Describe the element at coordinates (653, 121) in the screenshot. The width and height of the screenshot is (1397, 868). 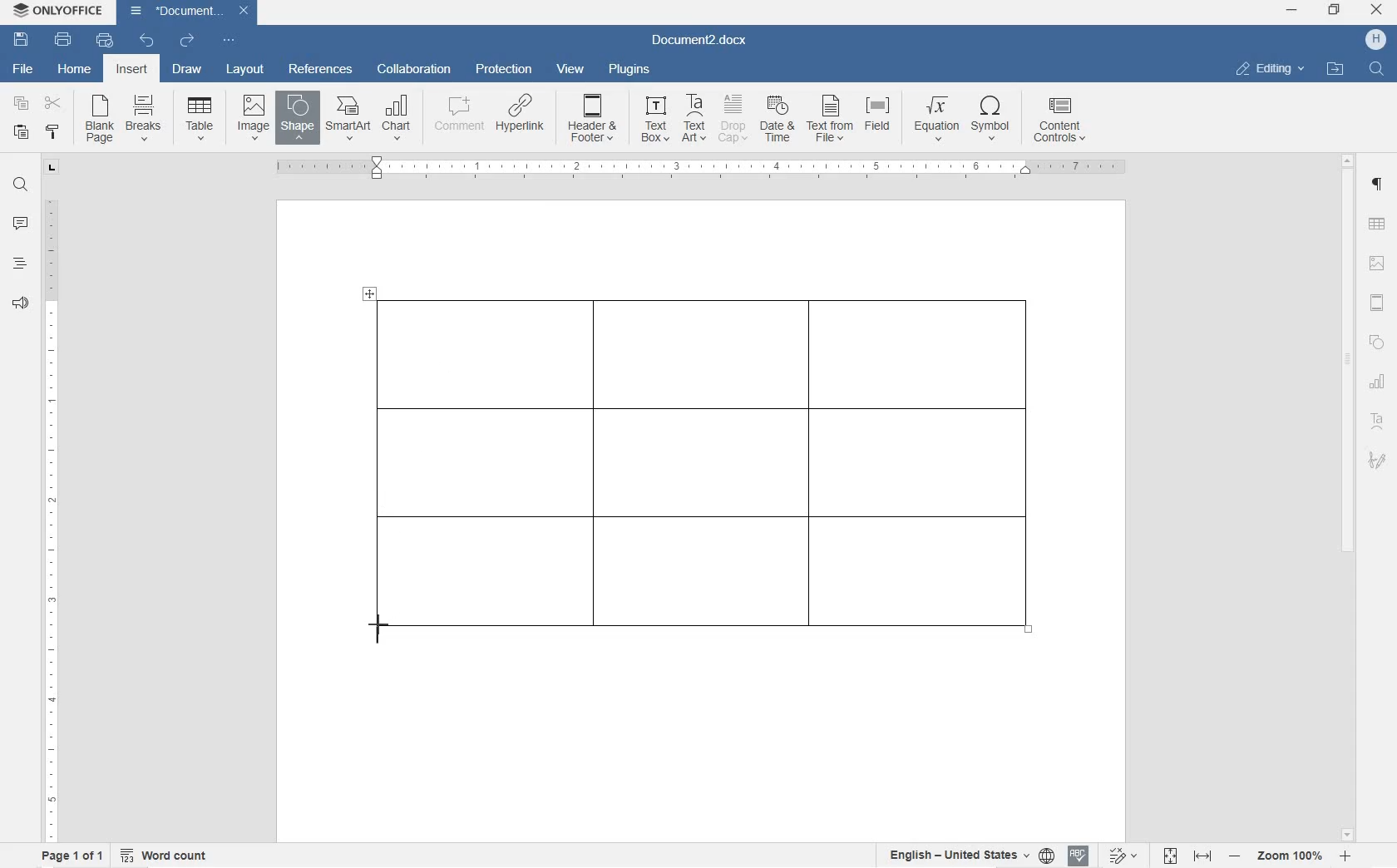
I see `TEXT BOX` at that location.